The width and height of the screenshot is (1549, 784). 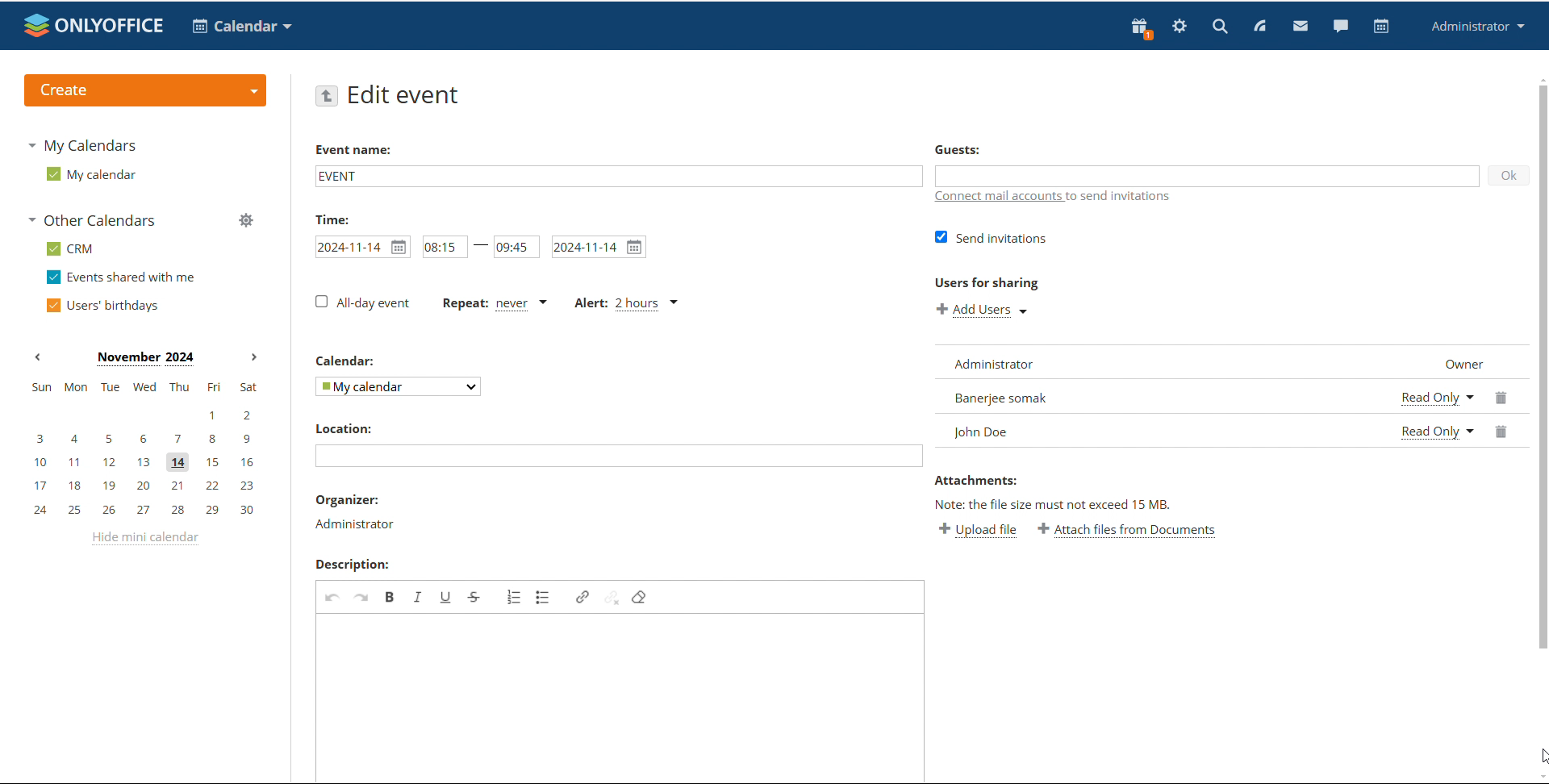 I want to click on redo, so click(x=363, y=596).